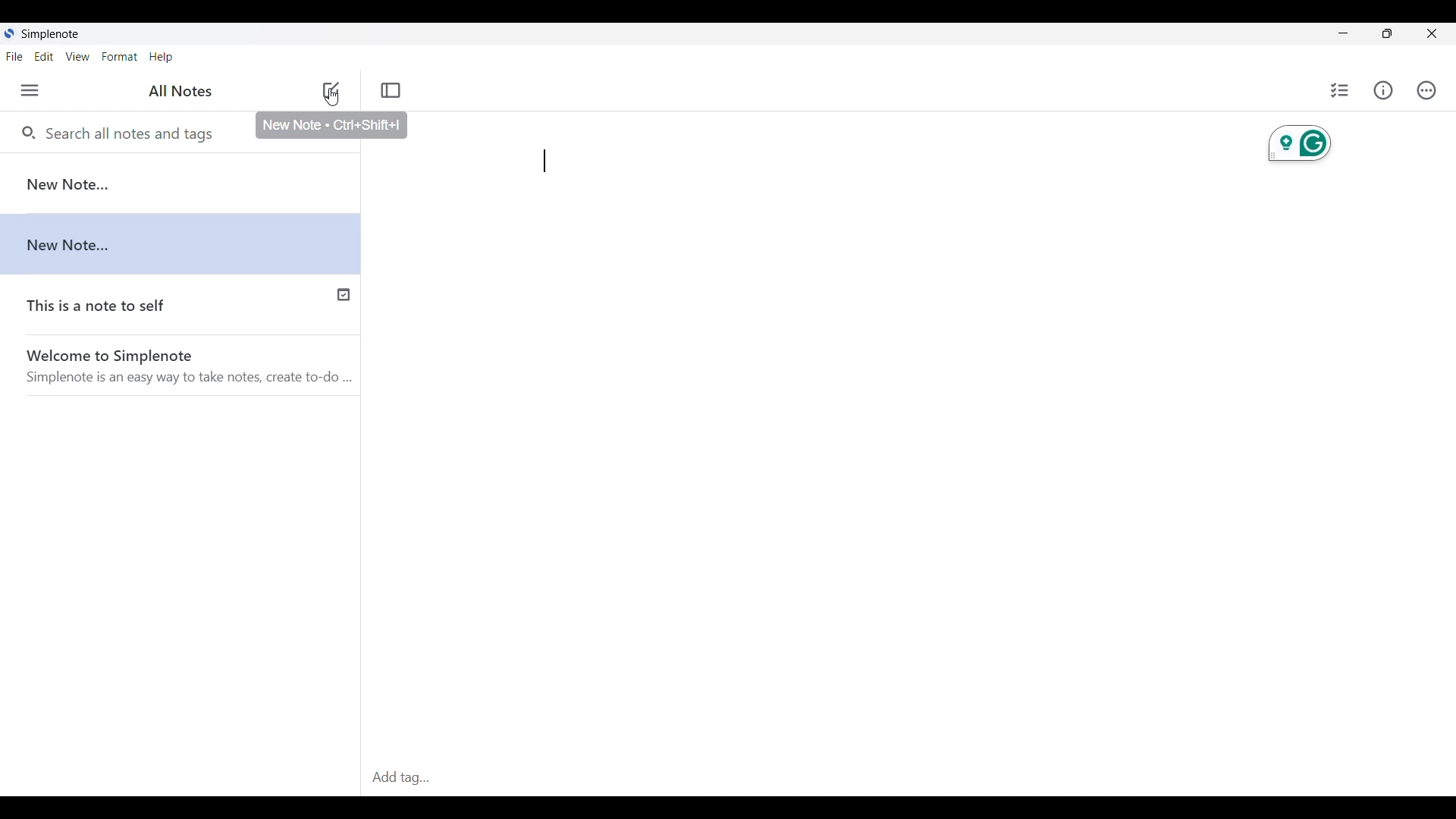 The height and width of the screenshot is (819, 1456). Describe the element at coordinates (29, 90) in the screenshot. I see `Menu` at that location.